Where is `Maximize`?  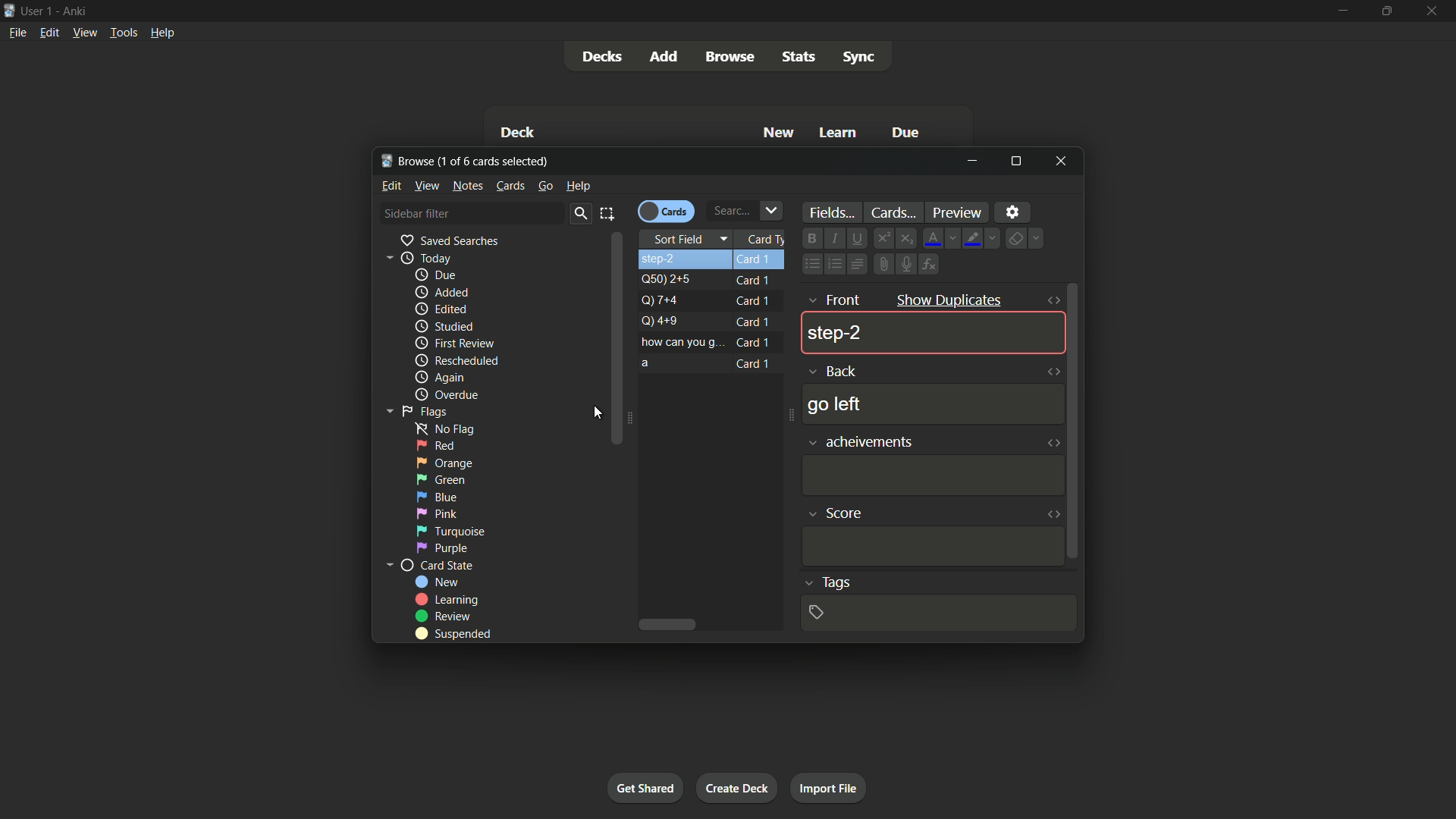 Maximize is located at coordinates (1016, 161).